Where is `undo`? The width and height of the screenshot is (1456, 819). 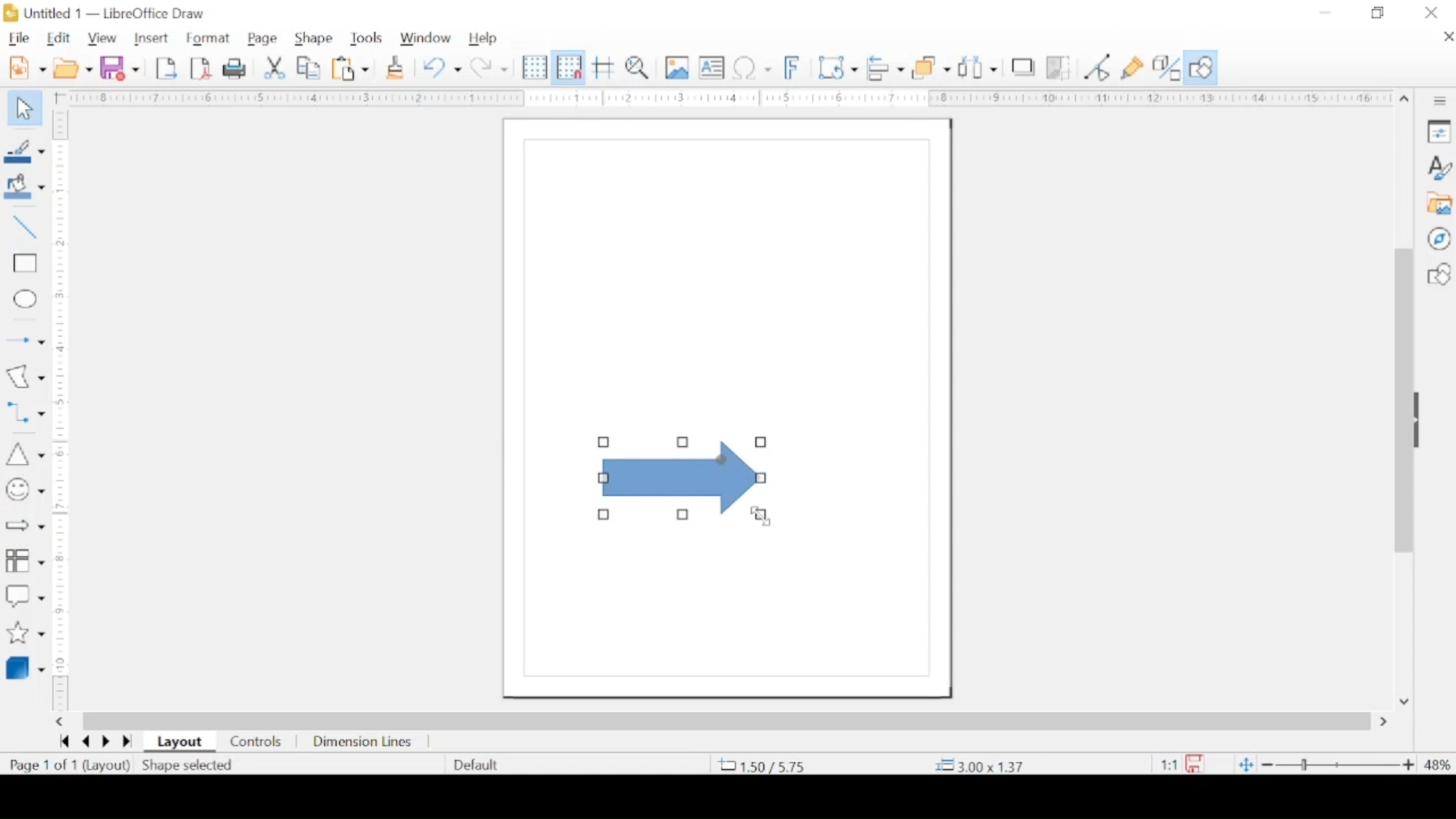
undo is located at coordinates (442, 67).